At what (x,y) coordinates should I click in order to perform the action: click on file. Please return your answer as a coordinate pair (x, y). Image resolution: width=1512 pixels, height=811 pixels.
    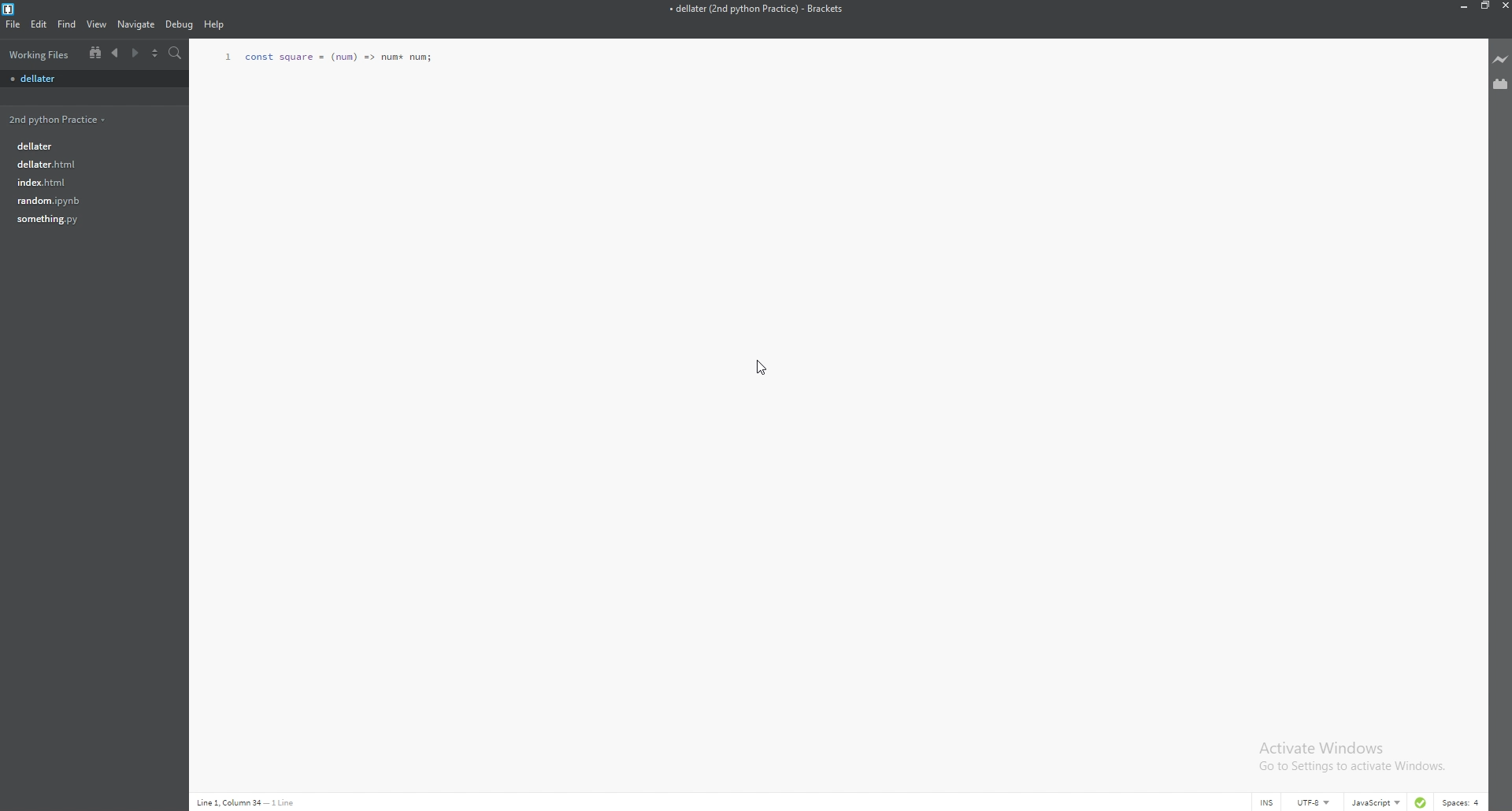
    Looking at the image, I should click on (90, 163).